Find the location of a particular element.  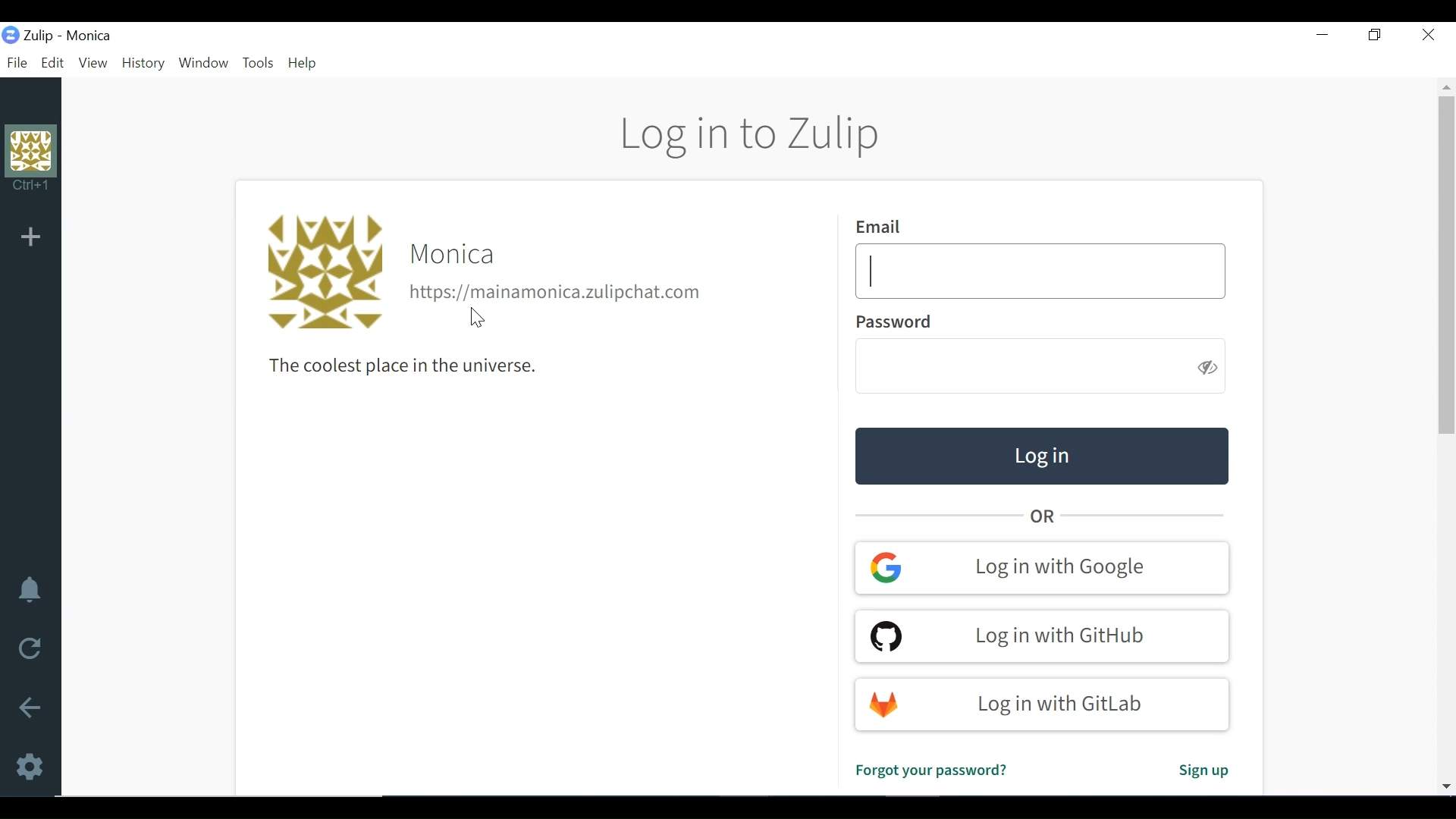

Log in with GitHub is located at coordinates (1041, 635).